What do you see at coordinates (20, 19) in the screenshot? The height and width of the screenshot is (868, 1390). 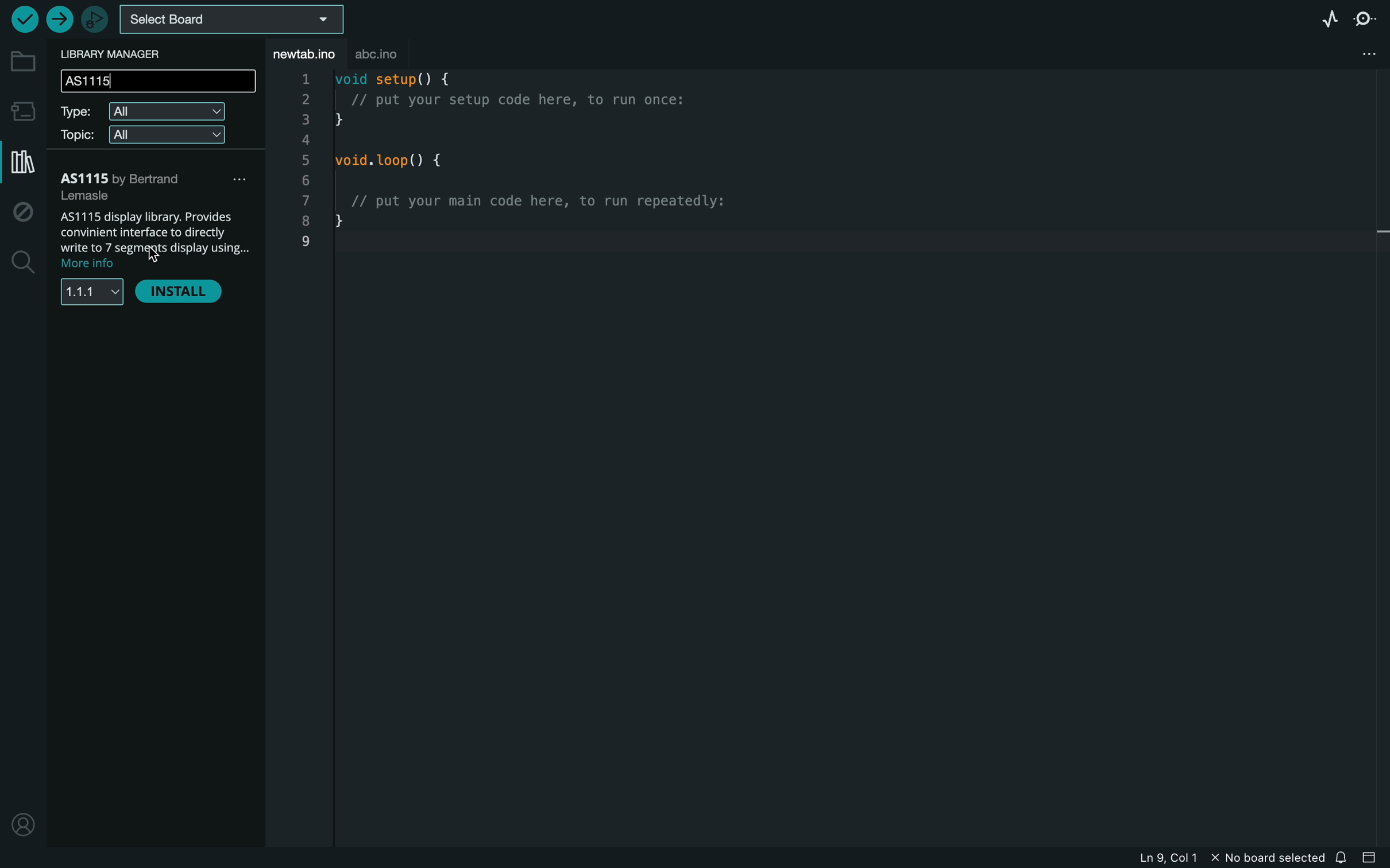 I see `verify` at bounding box center [20, 19].